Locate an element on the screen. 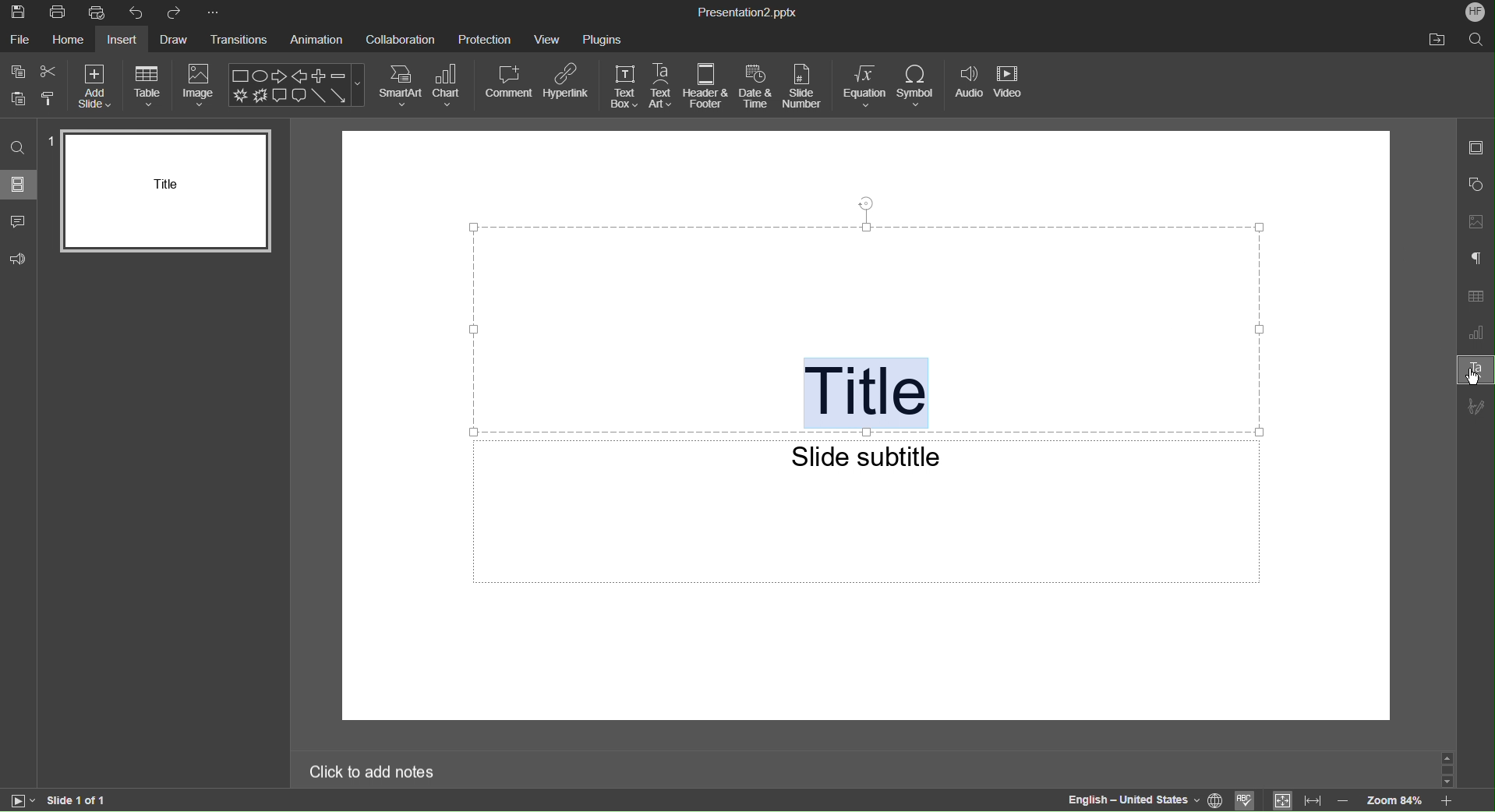 Image resolution: width=1495 pixels, height=812 pixels. Copy Paste Options is located at coordinates (33, 86).